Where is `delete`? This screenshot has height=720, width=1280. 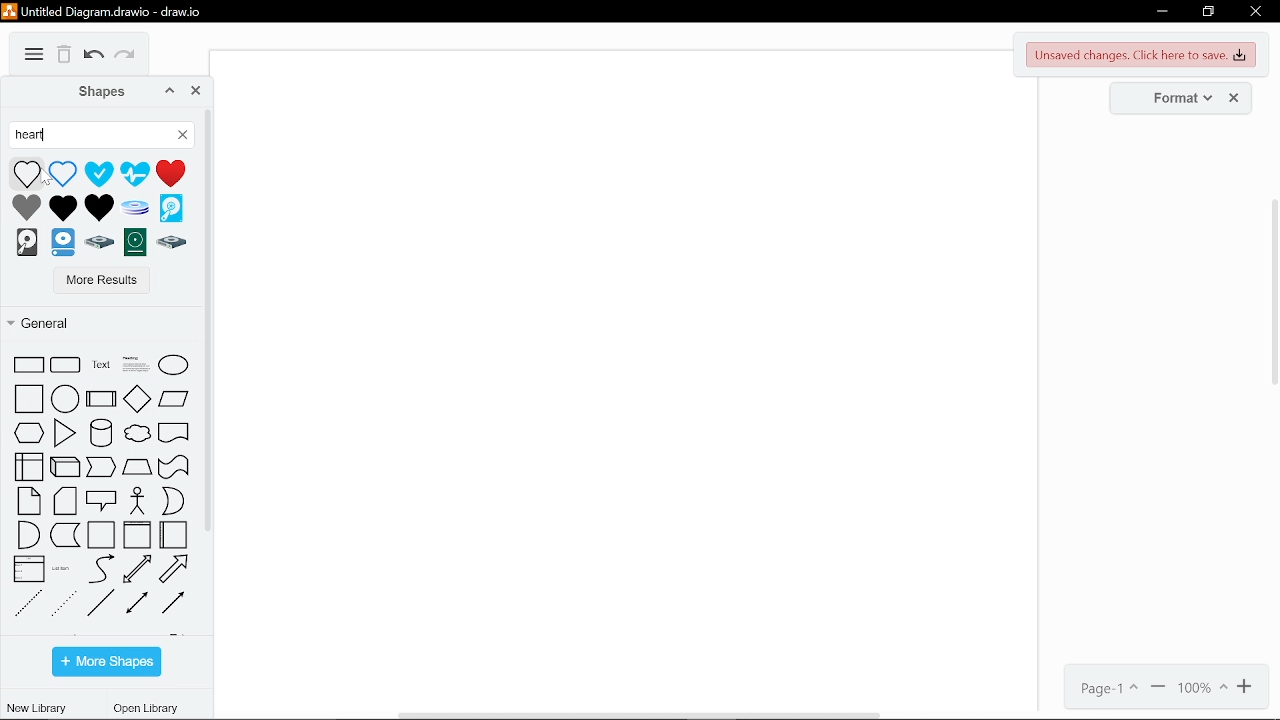
delete is located at coordinates (65, 55).